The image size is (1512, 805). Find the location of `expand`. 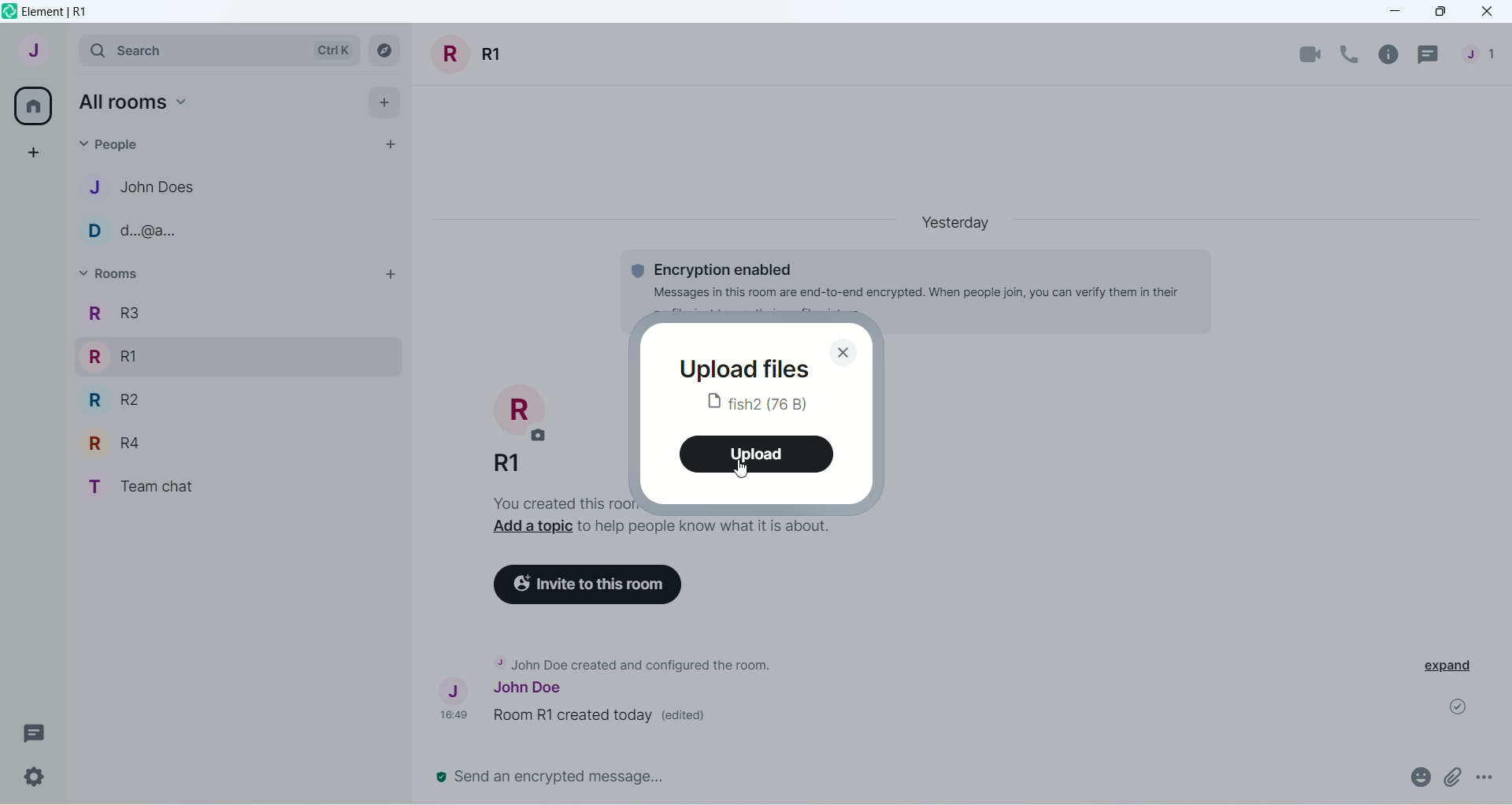

expand is located at coordinates (1454, 668).